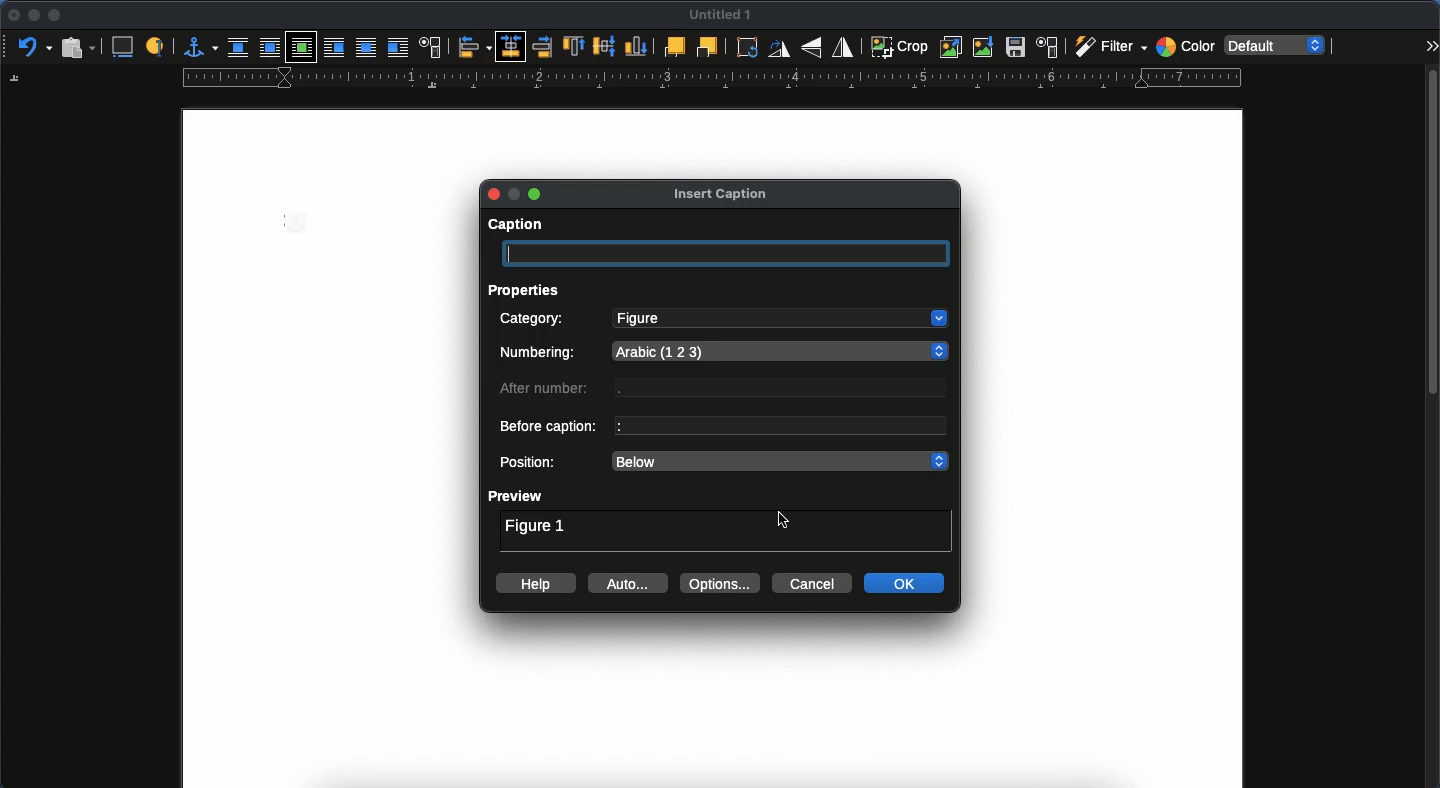 The height and width of the screenshot is (788, 1440). Describe the element at coordinates (302, 46) in the screenshot. I see `optimal` at that location.